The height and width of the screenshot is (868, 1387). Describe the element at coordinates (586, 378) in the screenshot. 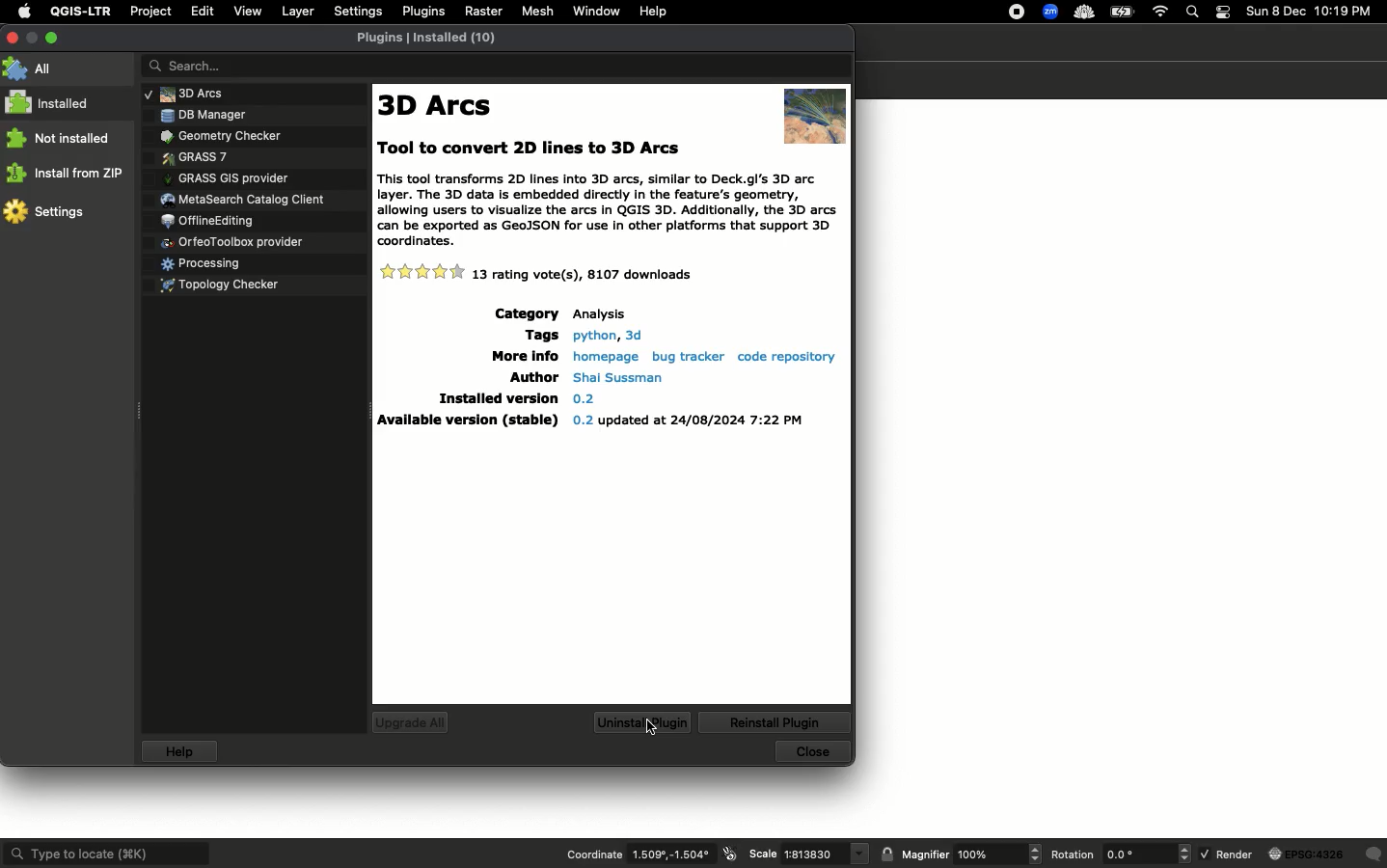

I see `Details` at that location.